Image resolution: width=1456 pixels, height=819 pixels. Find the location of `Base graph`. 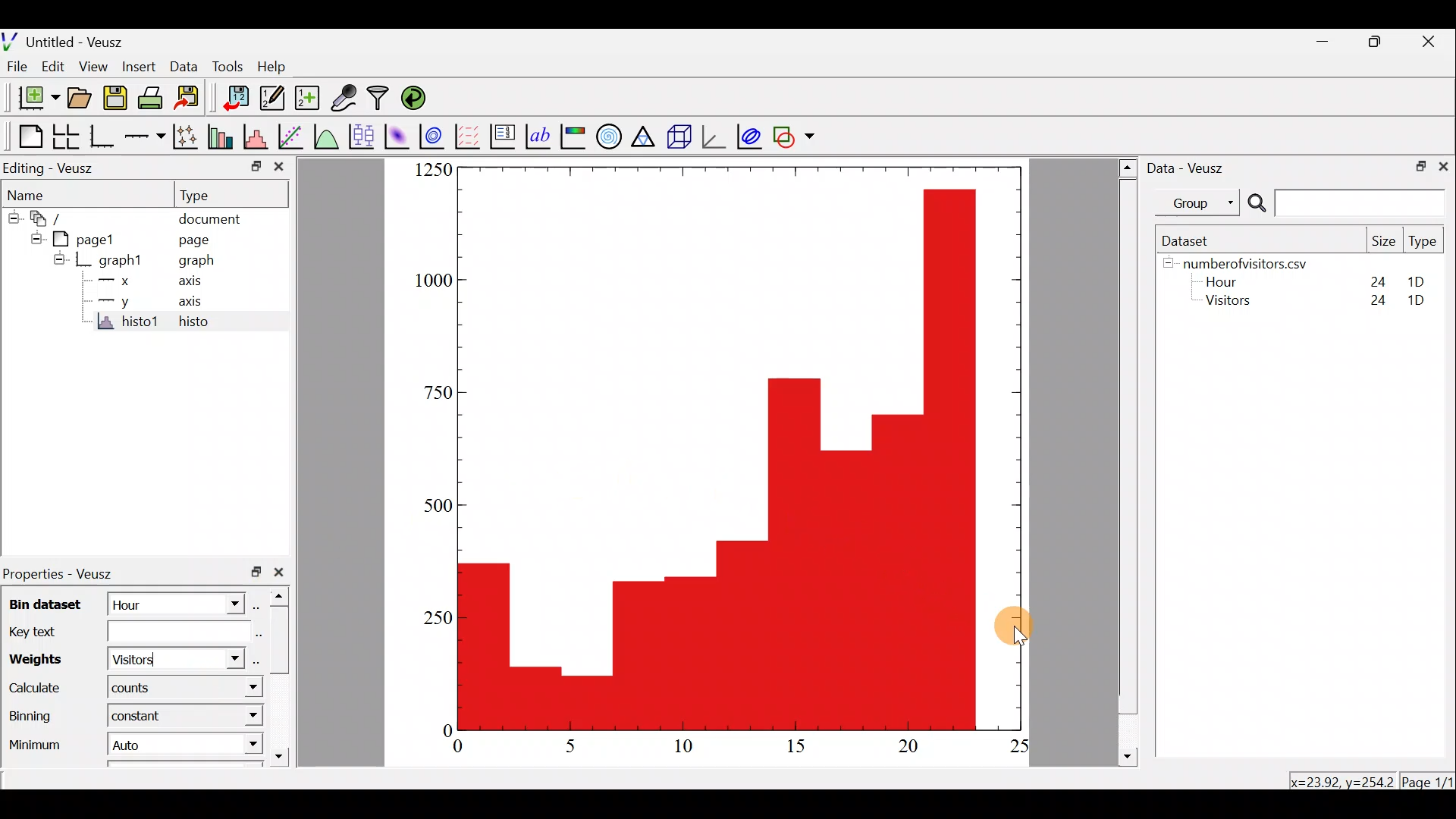

Base graph is located at coordinates (103, 137).